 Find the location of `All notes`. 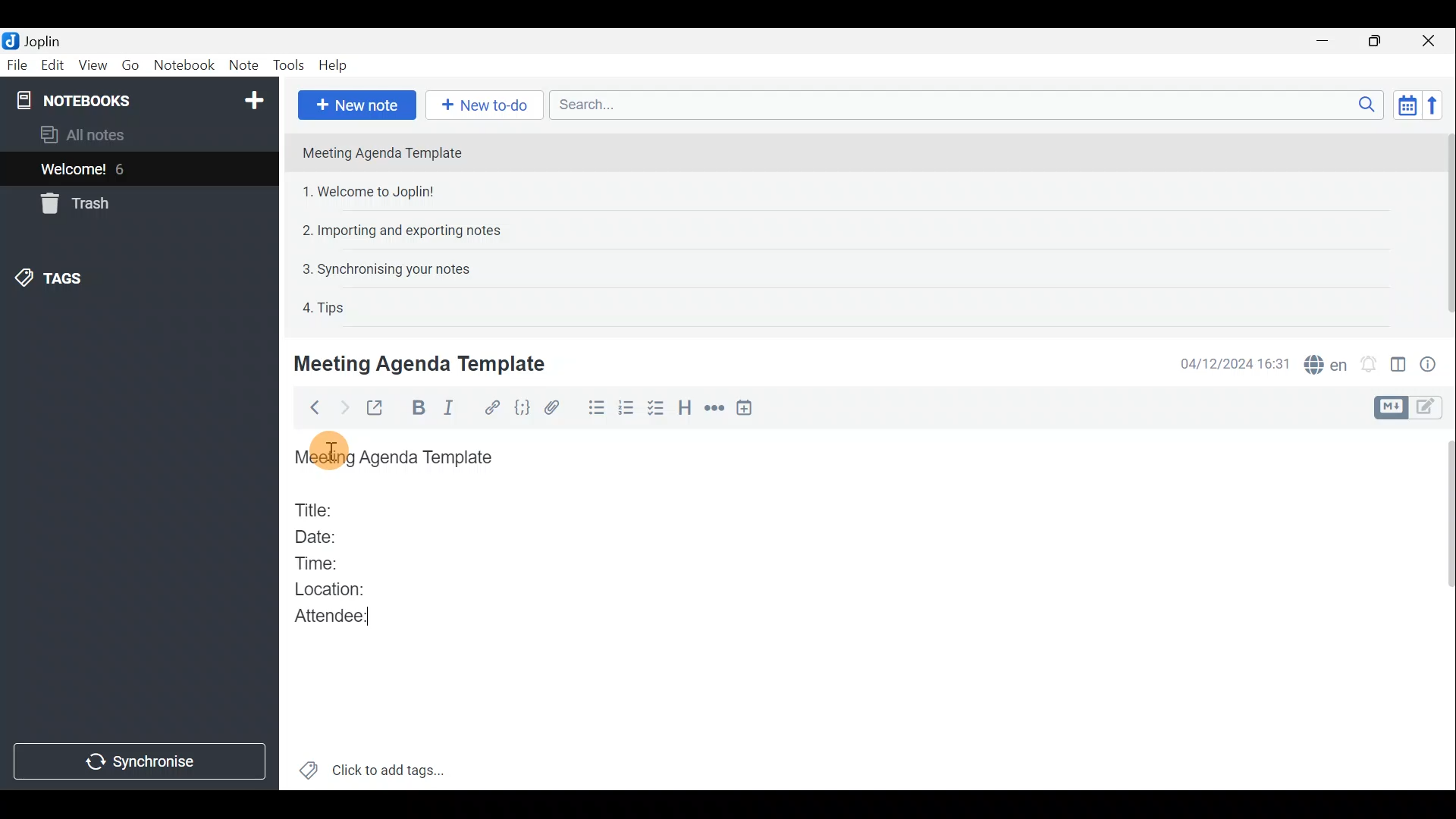

All notes is located at coordinates (108, 134).